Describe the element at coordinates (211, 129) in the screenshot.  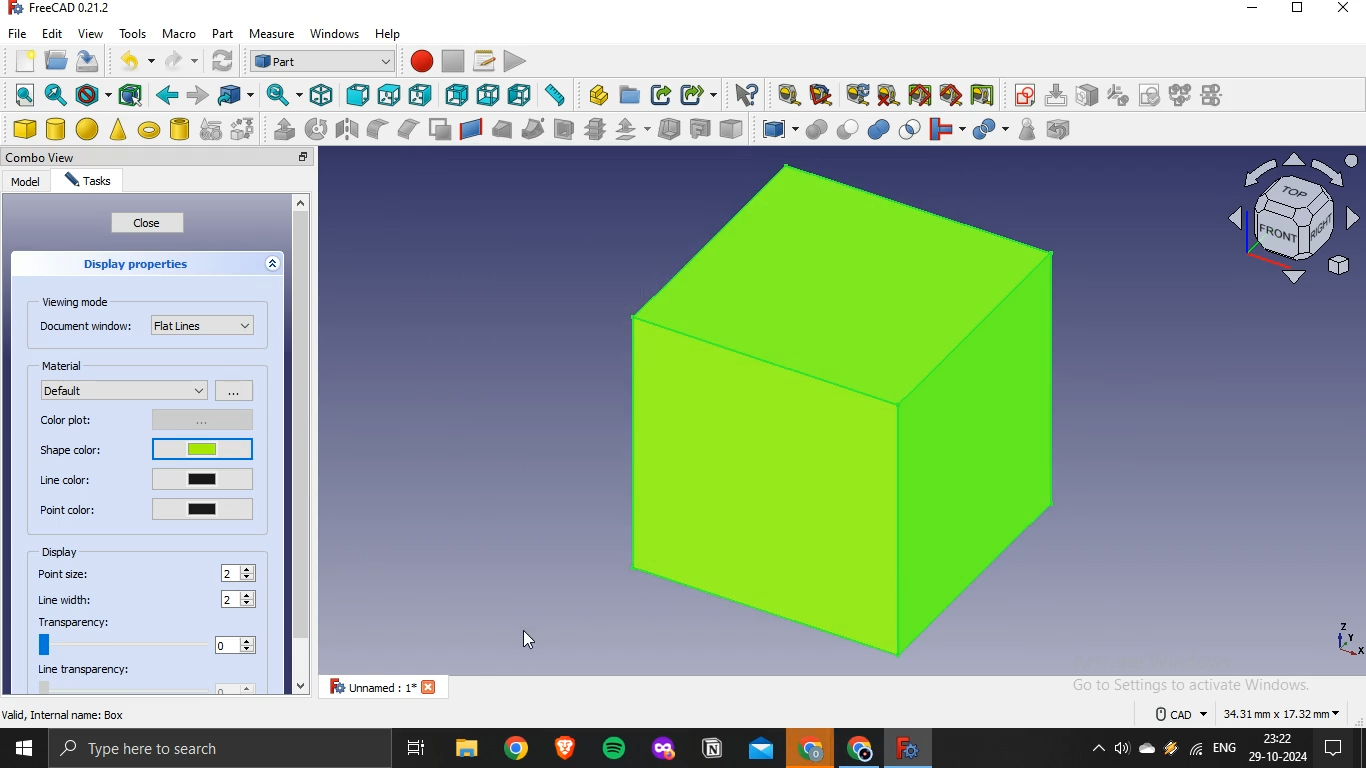
I see `create primitive` at that location.